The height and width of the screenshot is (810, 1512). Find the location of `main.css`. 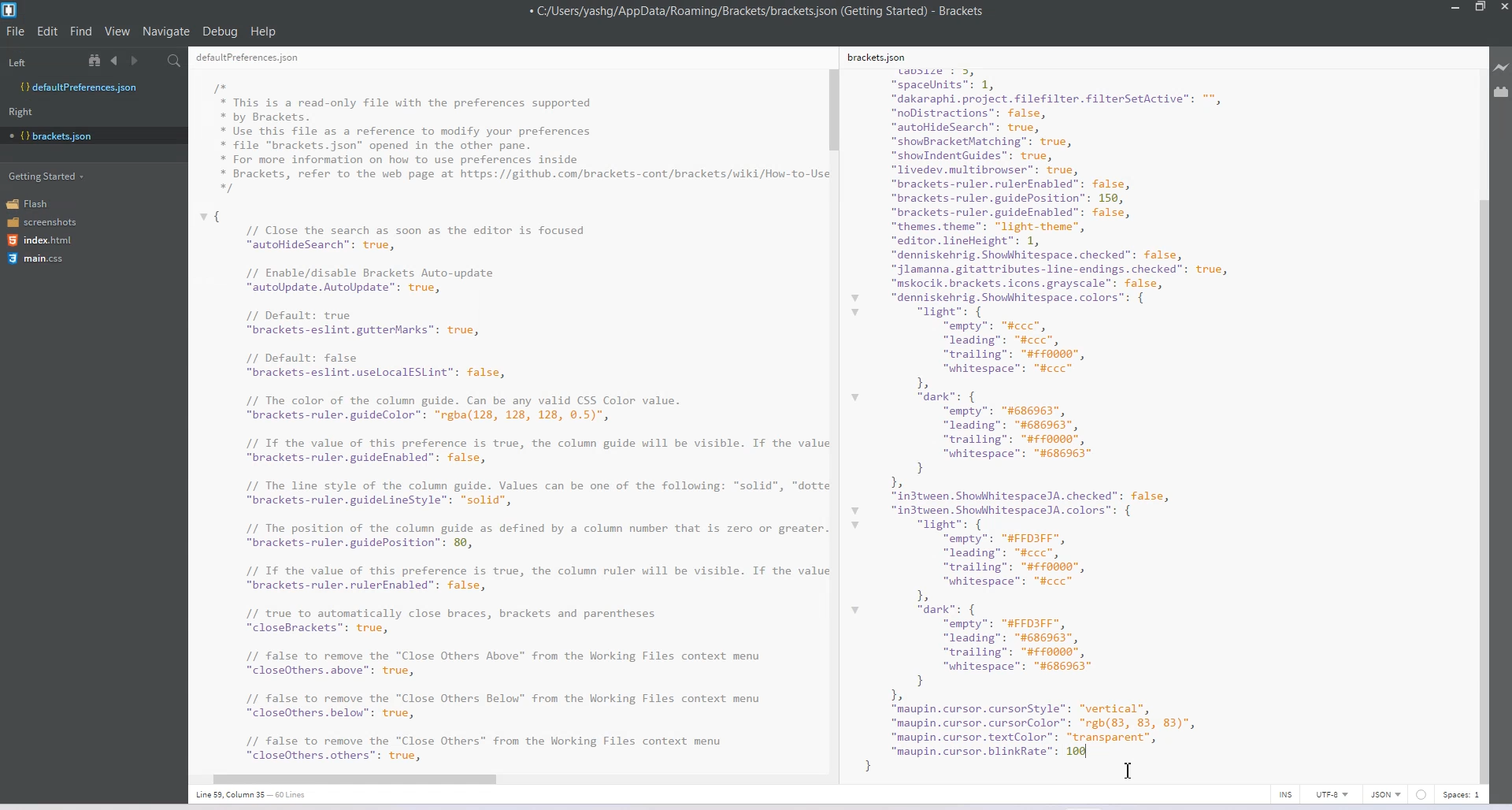

main.css is located at coordinates (35, 258).